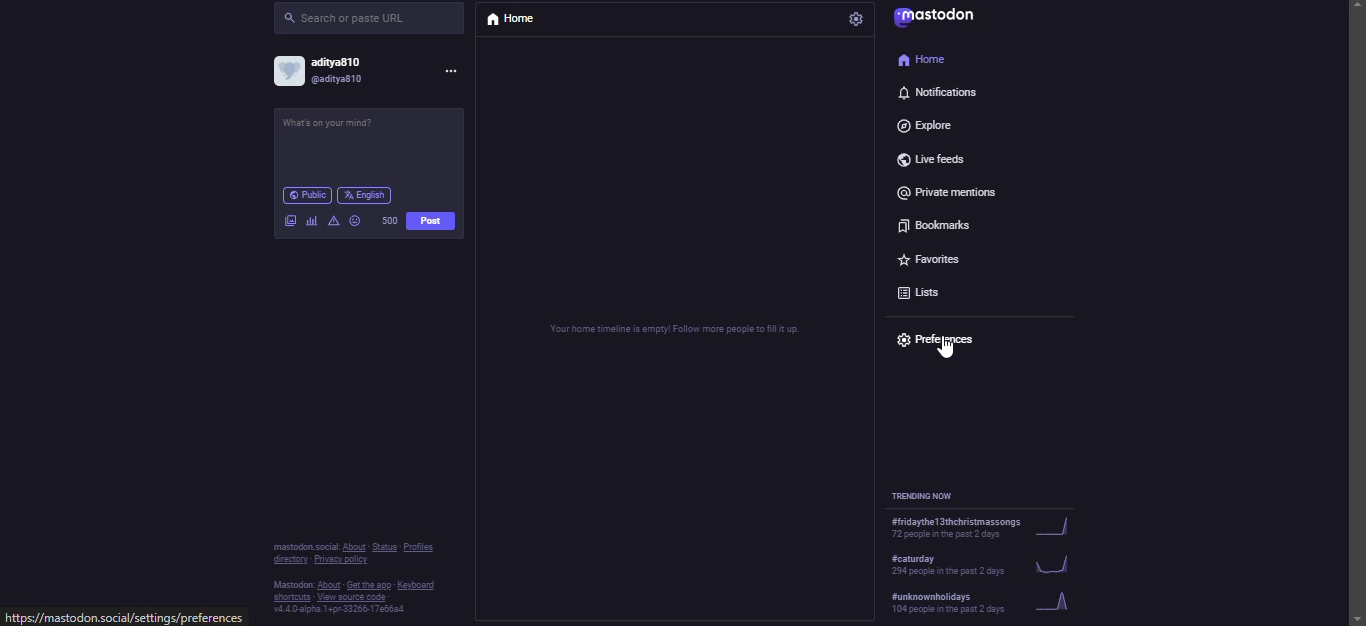 The height and width of the screenshot is (626, 1366). What do you see at coordinates (932, 123) in the screenshot?
I see `explore` at bounding box center [932, 123].